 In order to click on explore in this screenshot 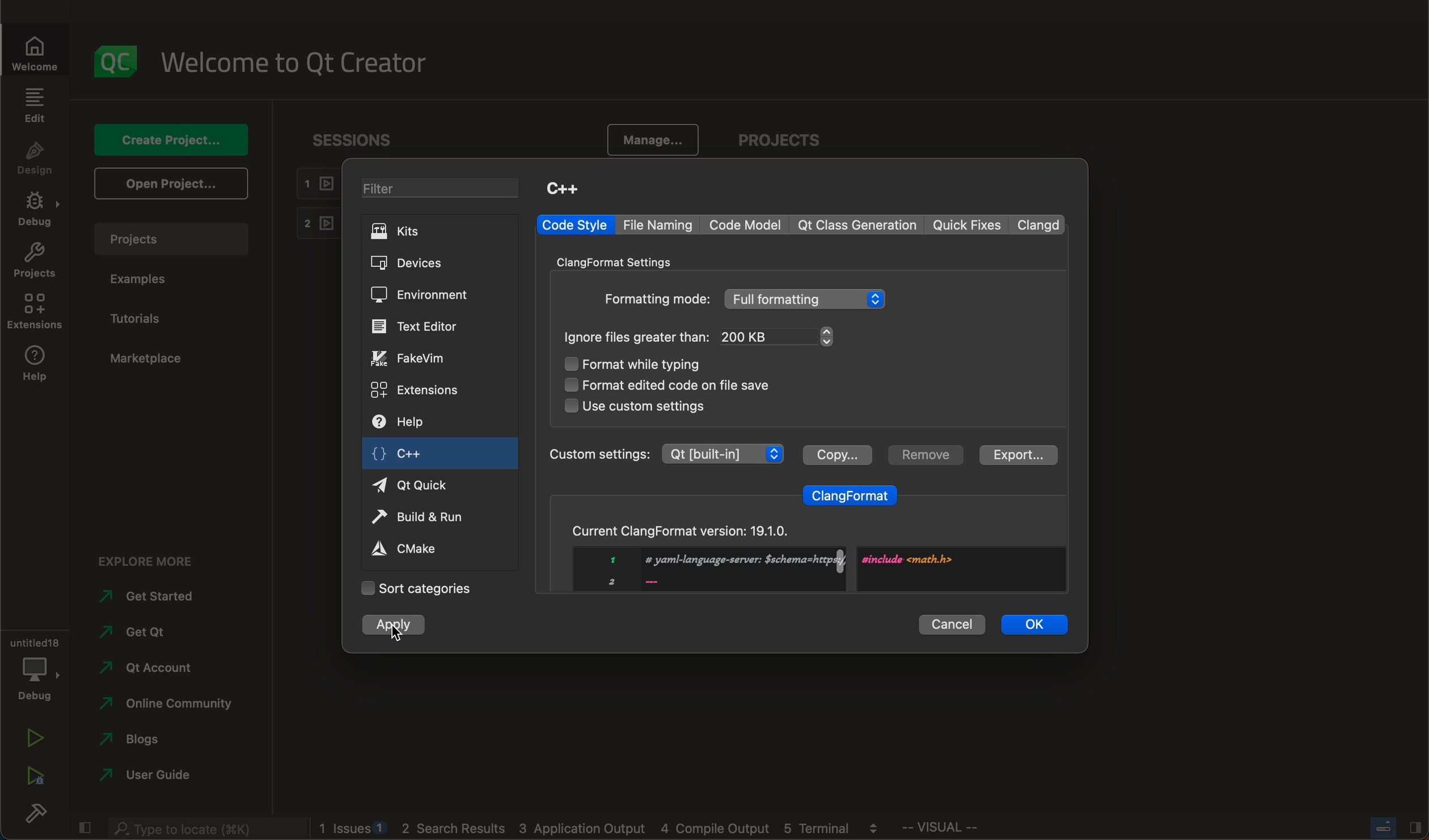, I will do `click(155, 558)`.